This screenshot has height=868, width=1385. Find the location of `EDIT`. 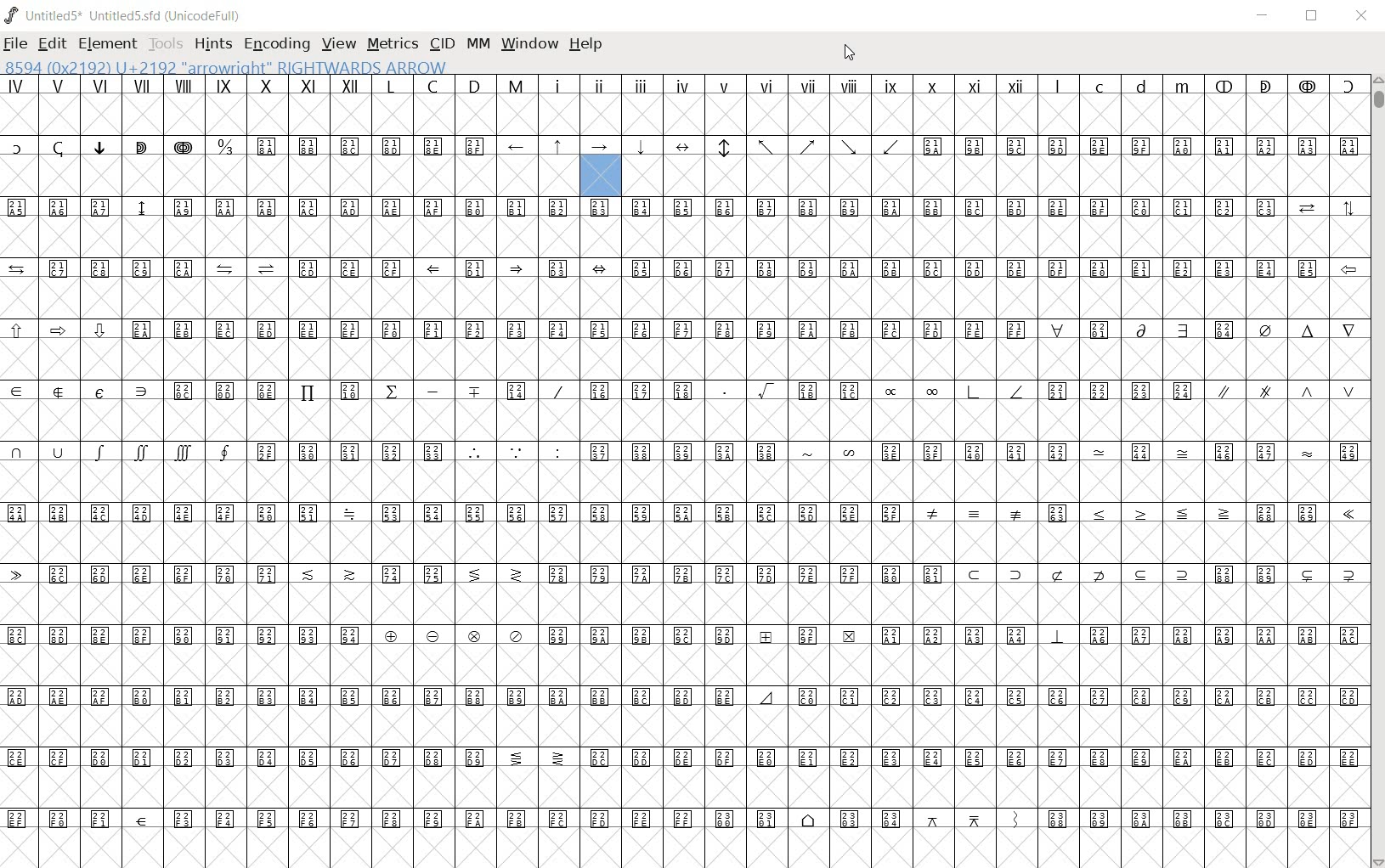

EDIT is located at coordinates (52, 45).